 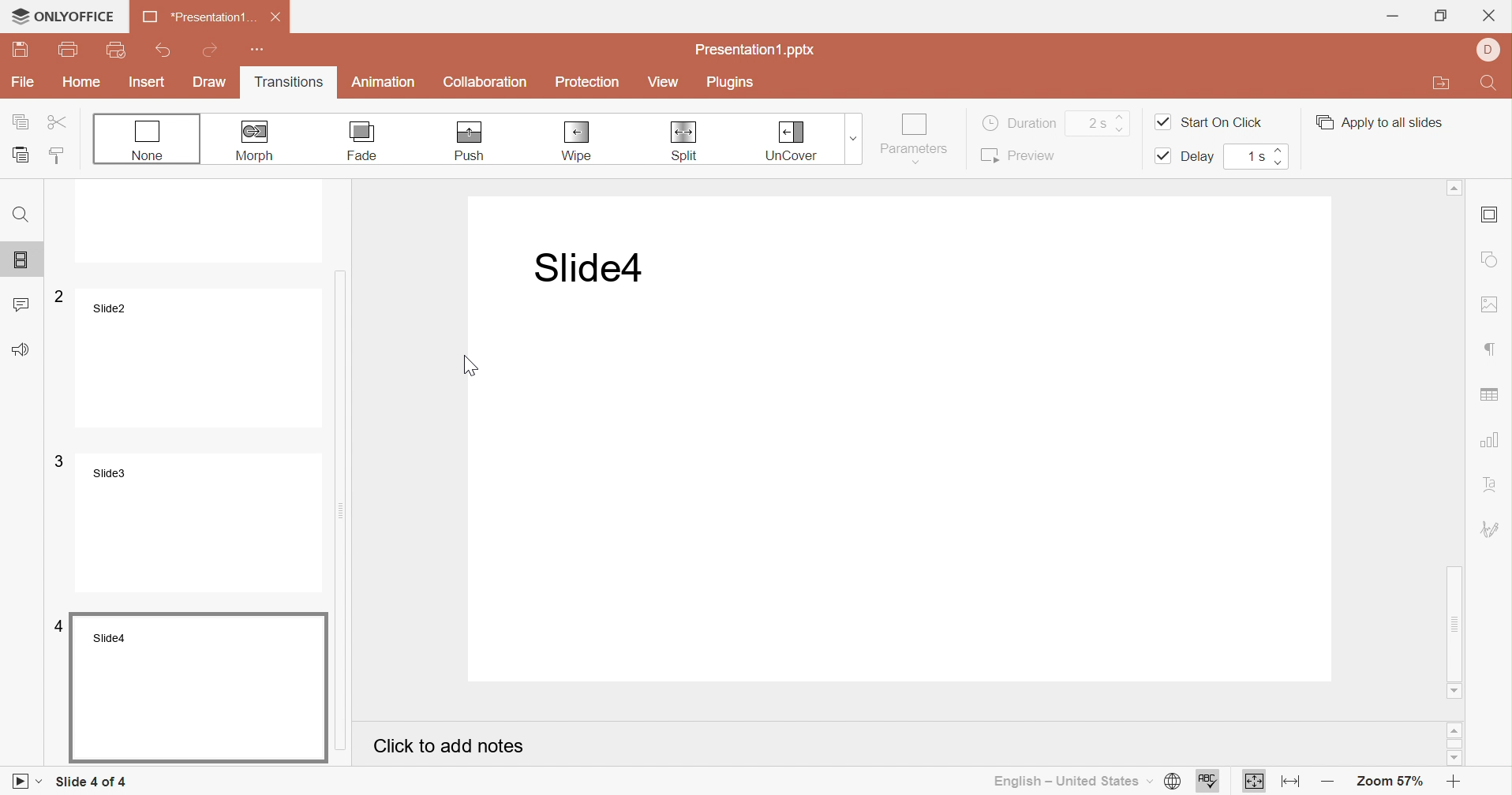 I want to click on Collaboration, so click(x=488, y=82).